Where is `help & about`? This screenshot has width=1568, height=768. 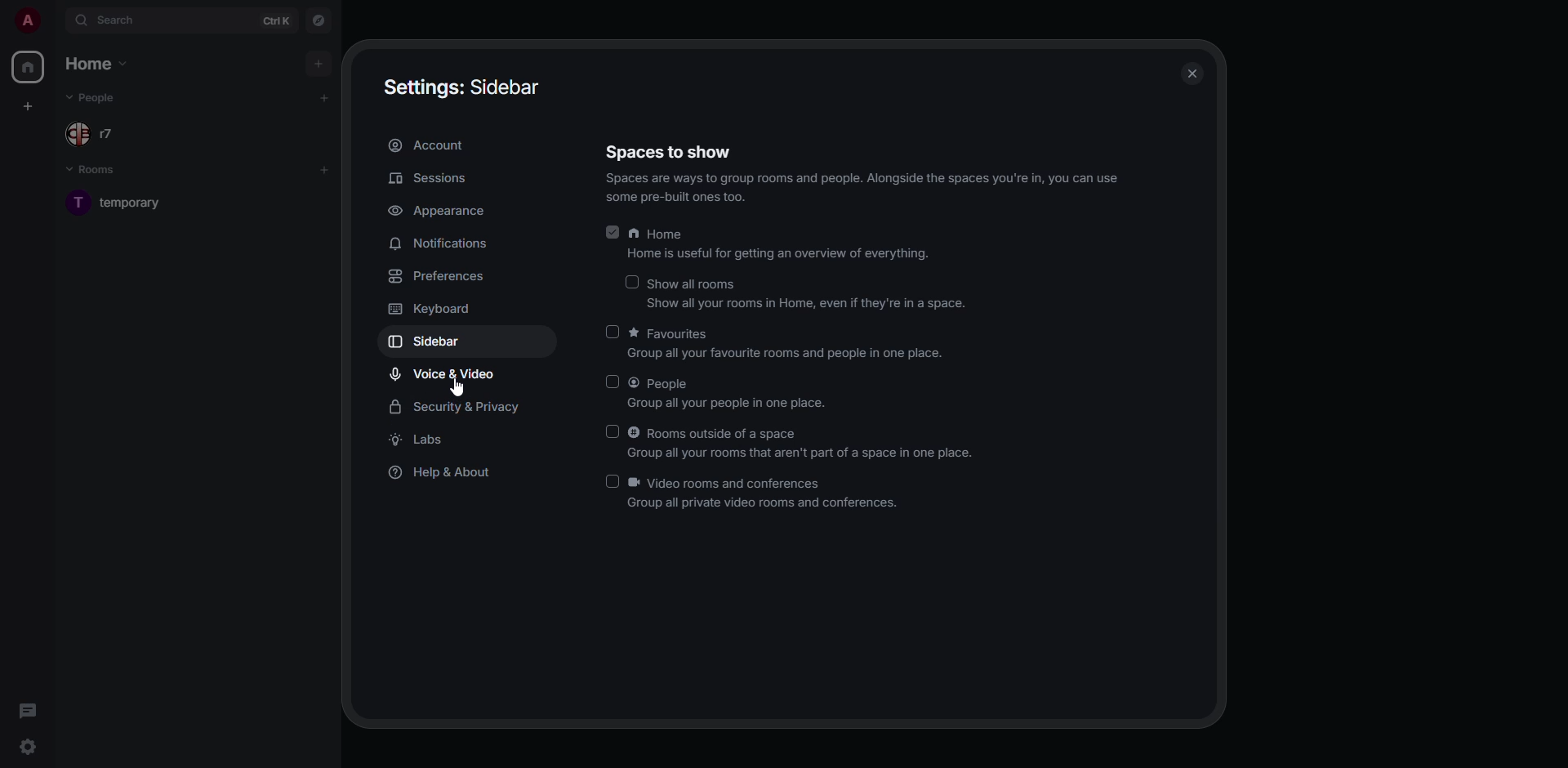
help & about is located at coordinates (442, 473).